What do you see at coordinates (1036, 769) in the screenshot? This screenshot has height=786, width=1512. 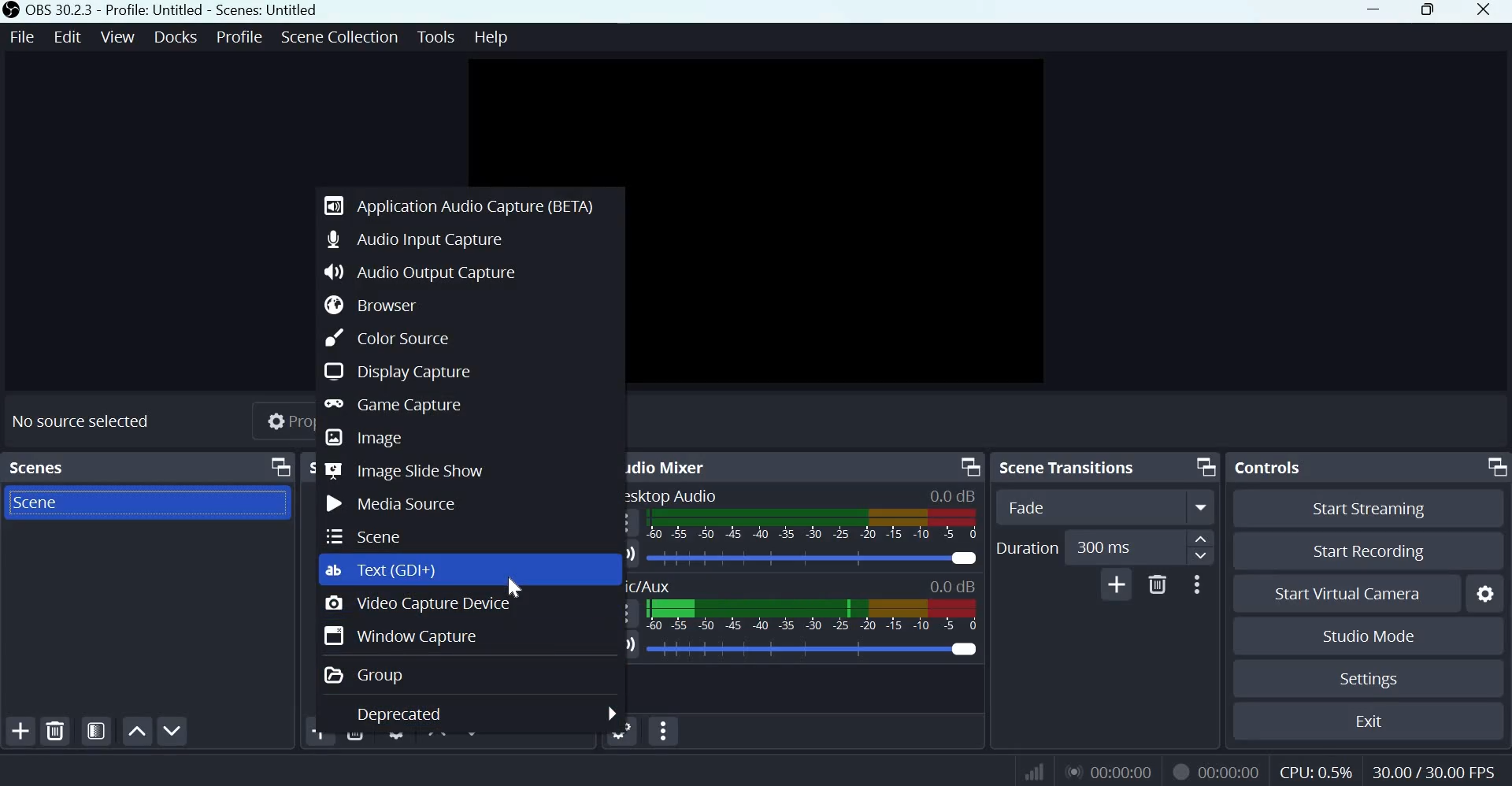 I see `Connection Status Indicator` at bounding box center [1036, 769].